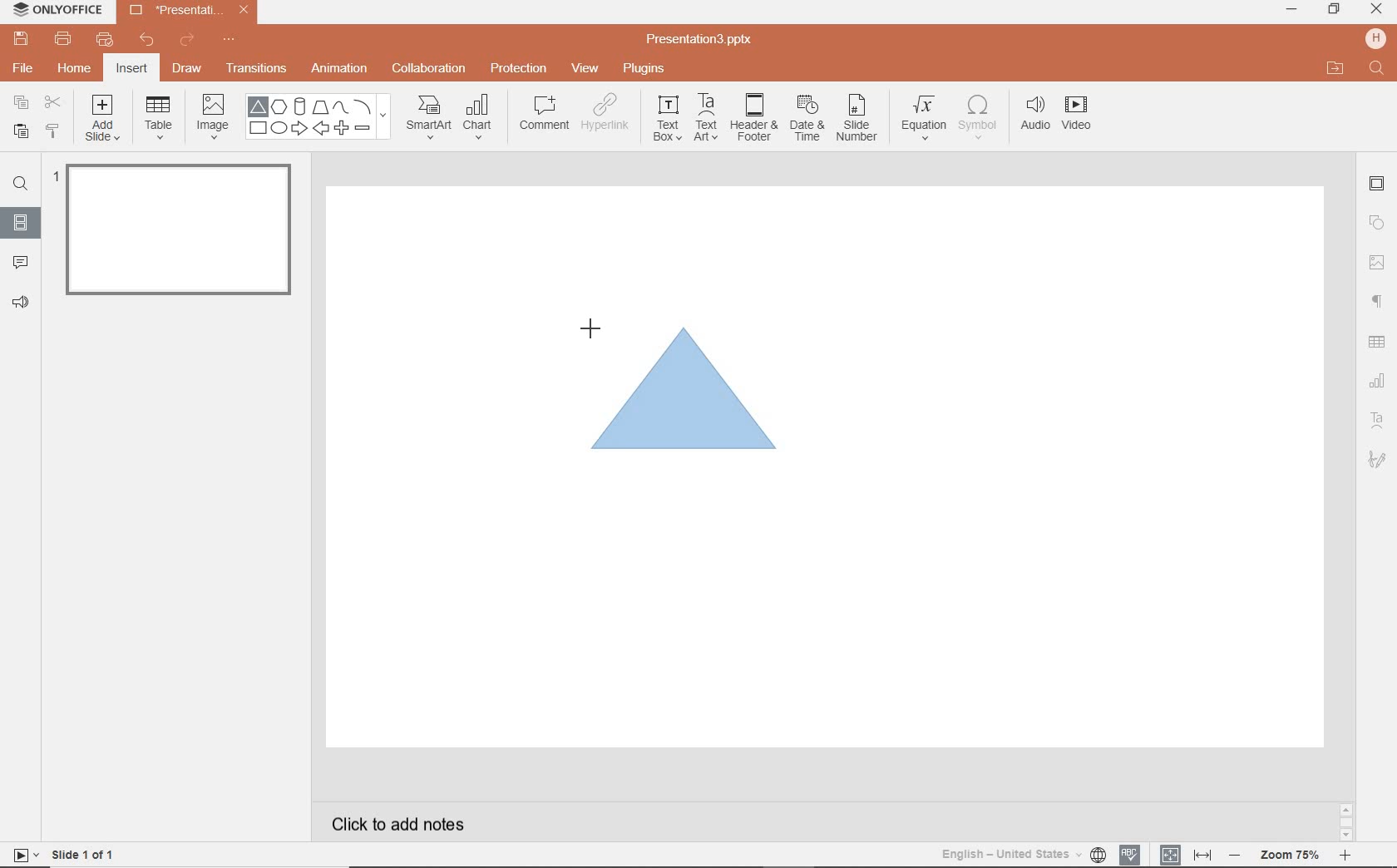  What do you see at coordinates (1237, 856) in the screenshot?
I see `zoom out` at bounding box center [1237, 856].